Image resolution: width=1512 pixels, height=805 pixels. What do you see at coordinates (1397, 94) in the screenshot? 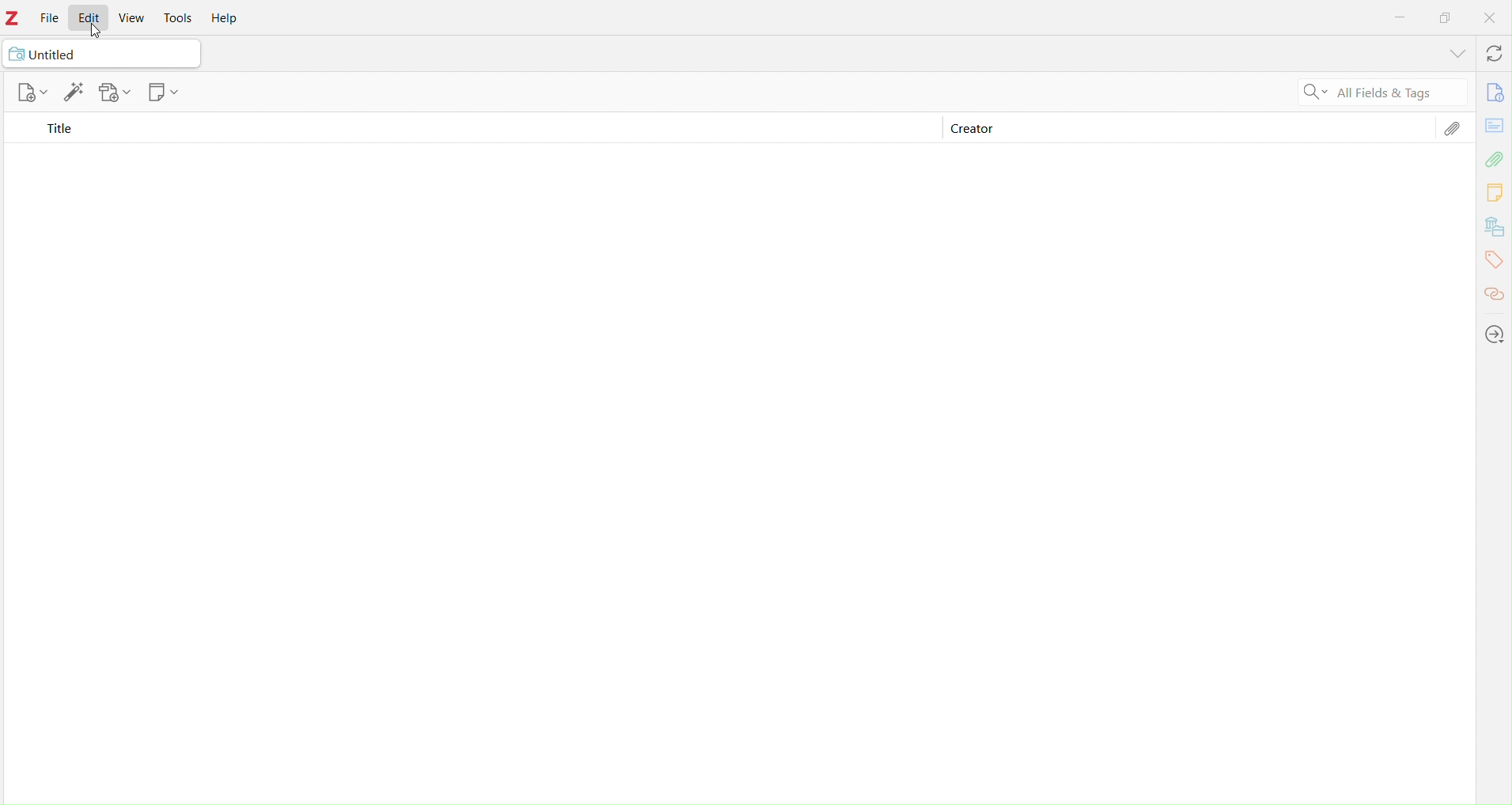
I see `Fields and tags` at bounding box center [1397, 94].